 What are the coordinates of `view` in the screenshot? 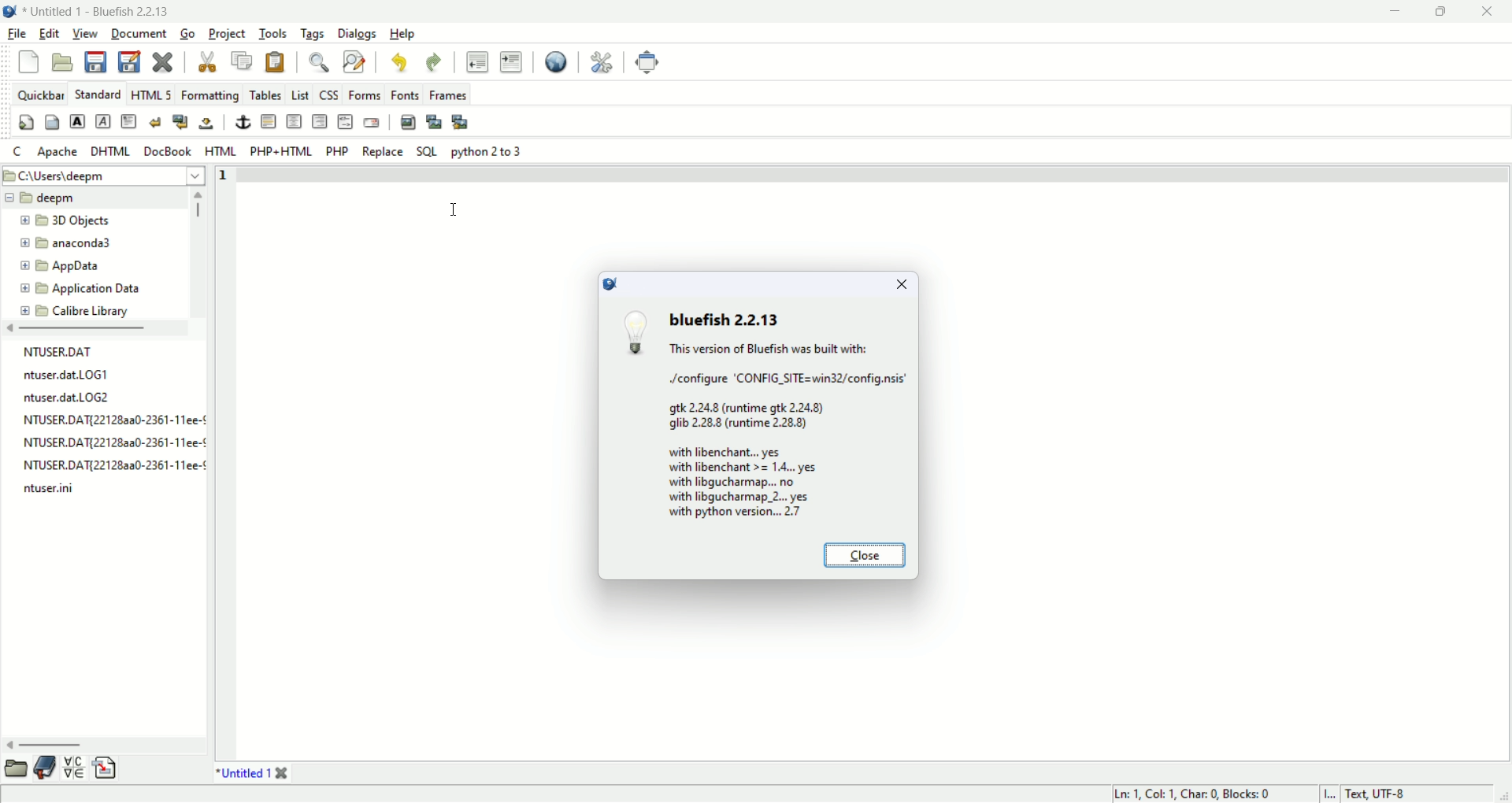 It's located at (84, 35).